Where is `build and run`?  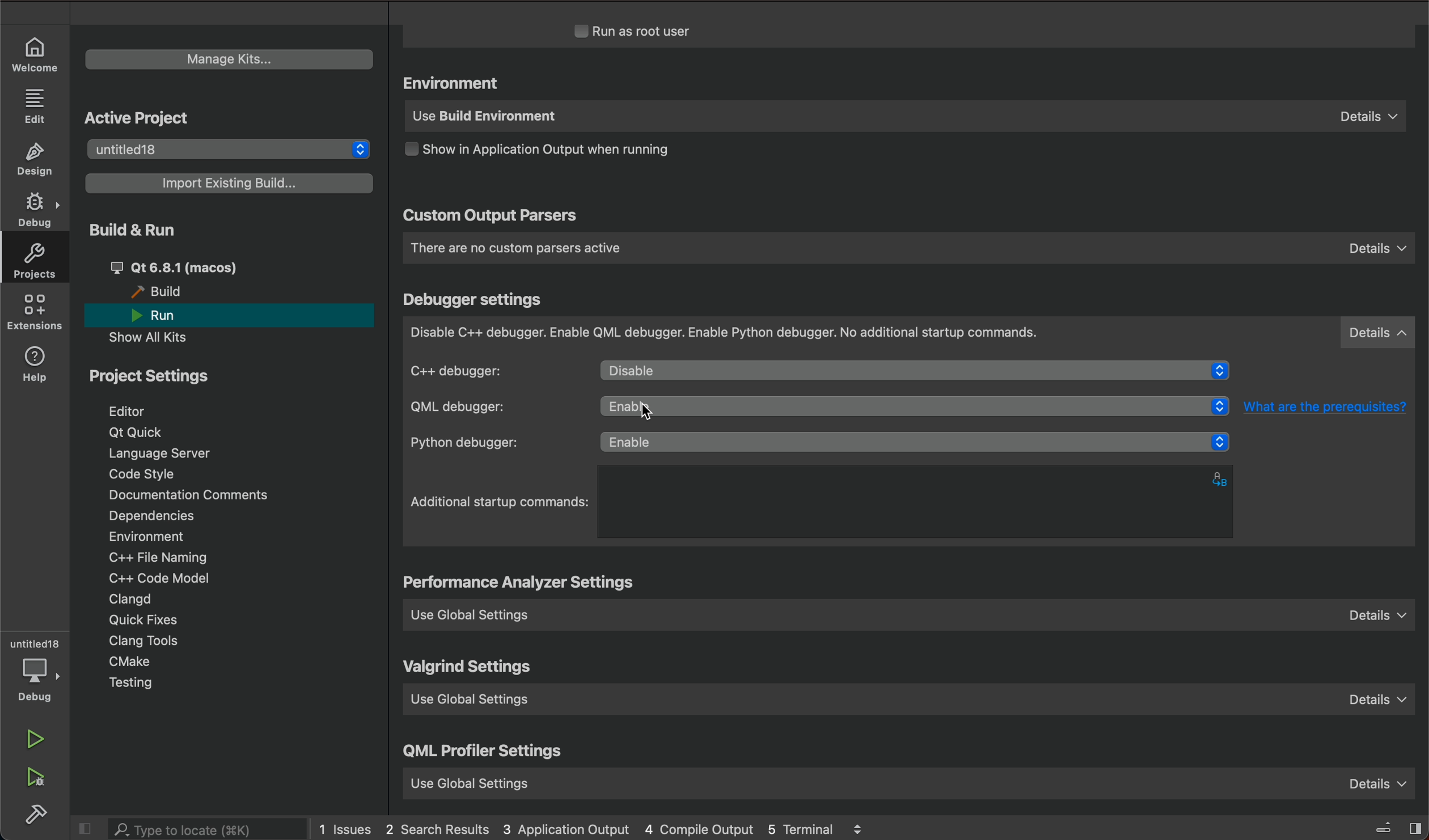
build and run is located at coordinates (130, 229).